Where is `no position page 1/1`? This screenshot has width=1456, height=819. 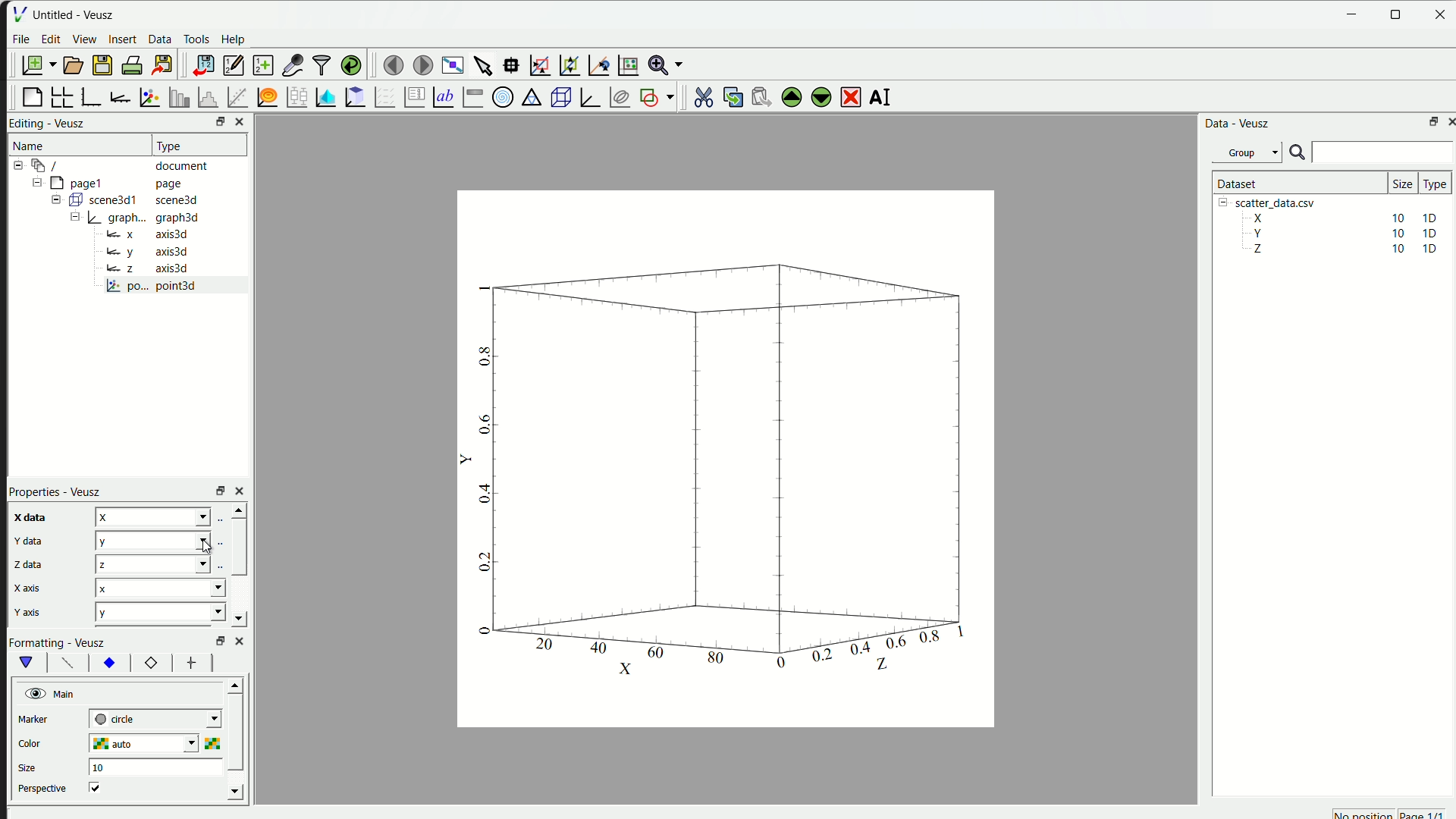
no position page 1/1 is located at coordinates (1393, 812).